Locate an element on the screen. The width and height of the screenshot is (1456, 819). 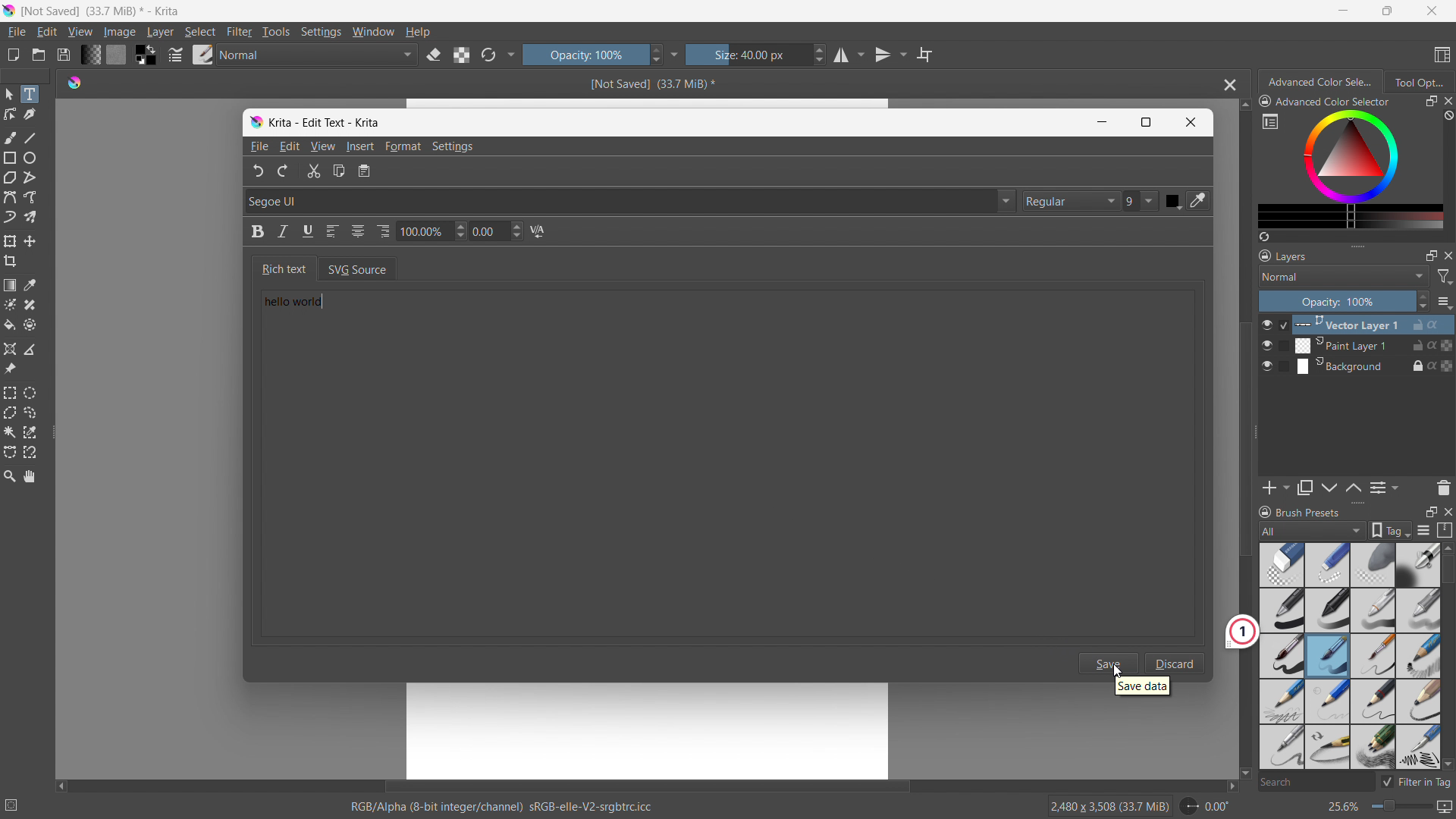
select is located at coordinates (199, 32).